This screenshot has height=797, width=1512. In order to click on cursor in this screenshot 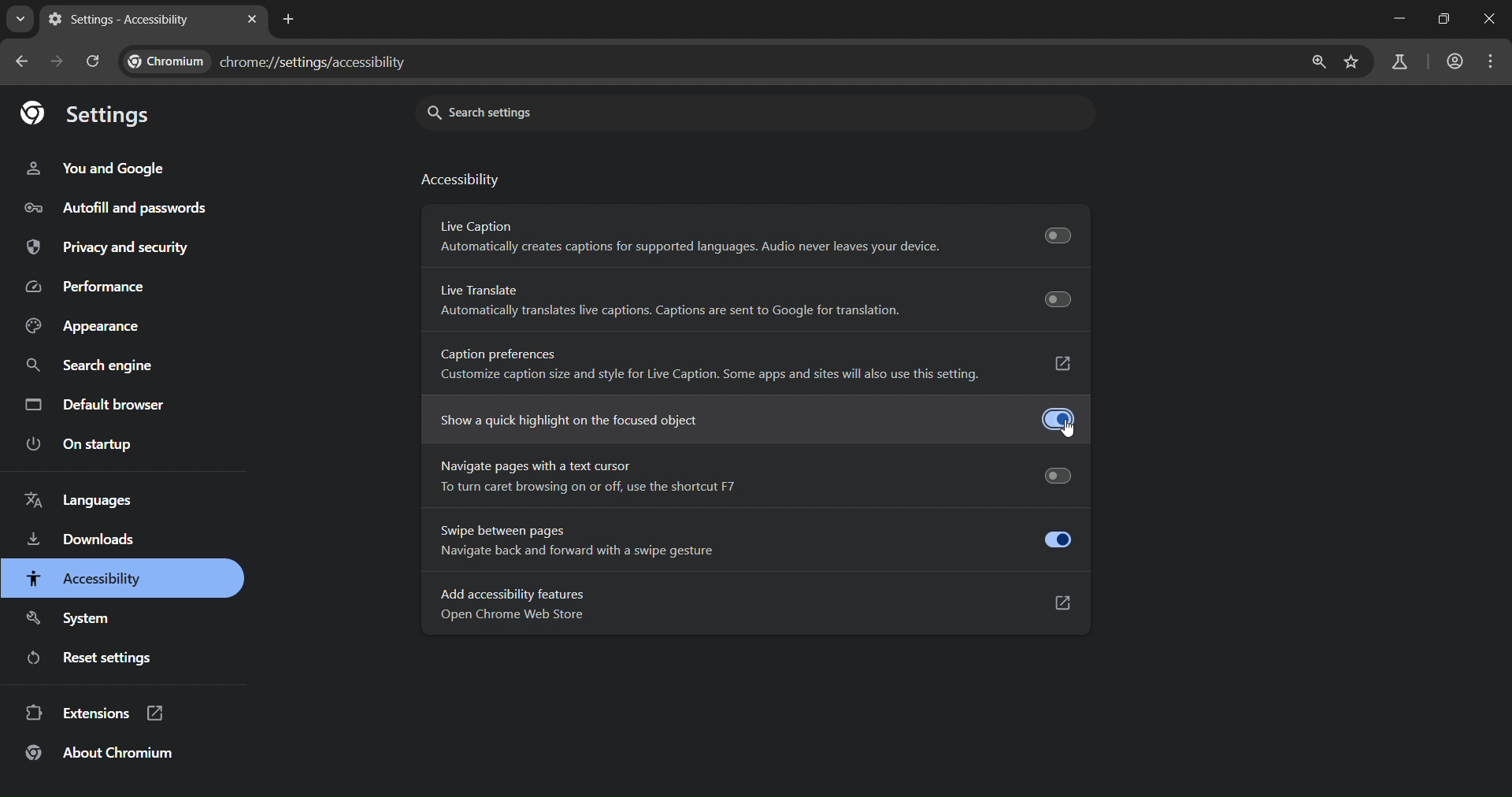, I will do `click(1069, 432)`.